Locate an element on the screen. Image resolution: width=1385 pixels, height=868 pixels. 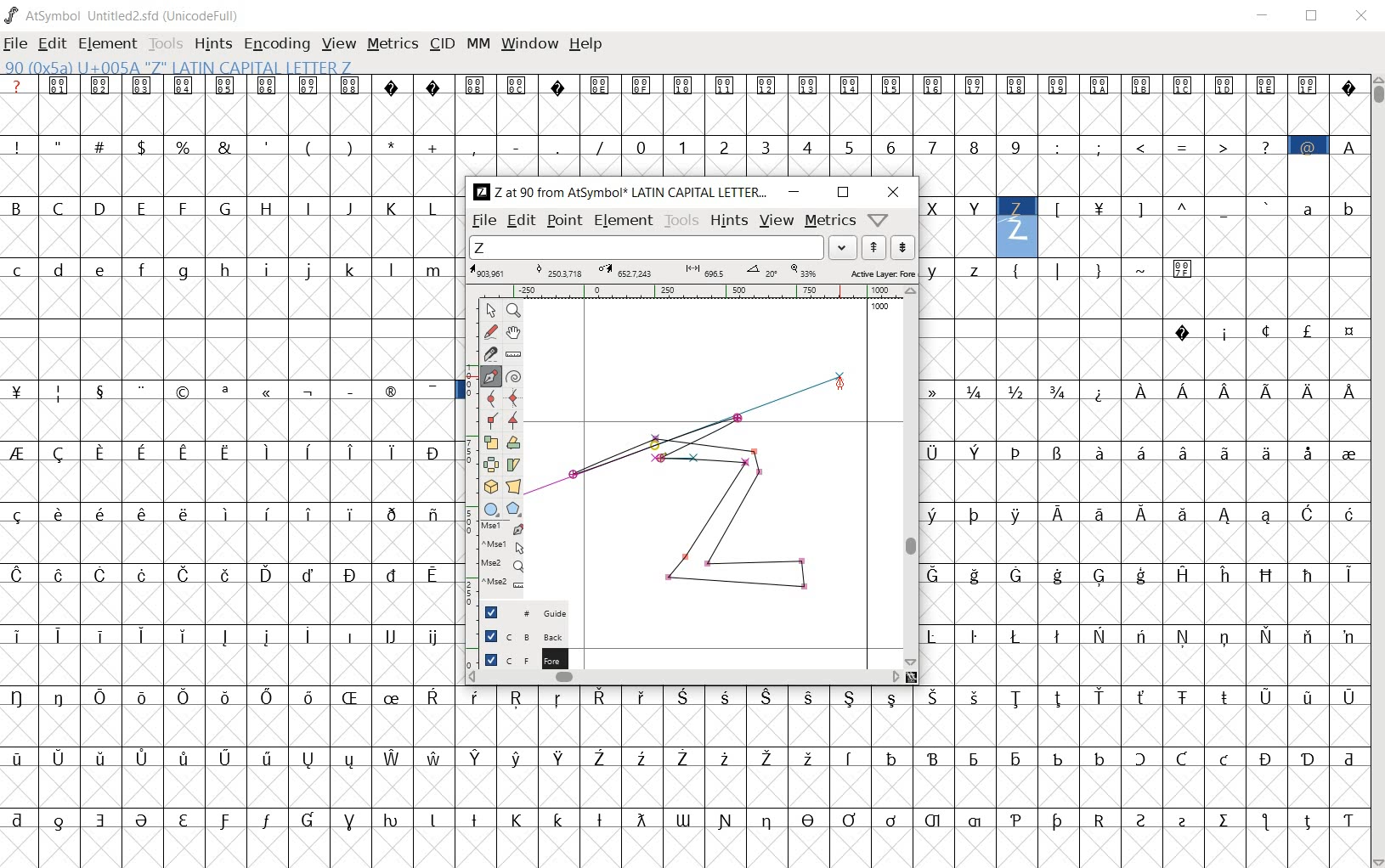
tools is located at coordinates (167, 42).